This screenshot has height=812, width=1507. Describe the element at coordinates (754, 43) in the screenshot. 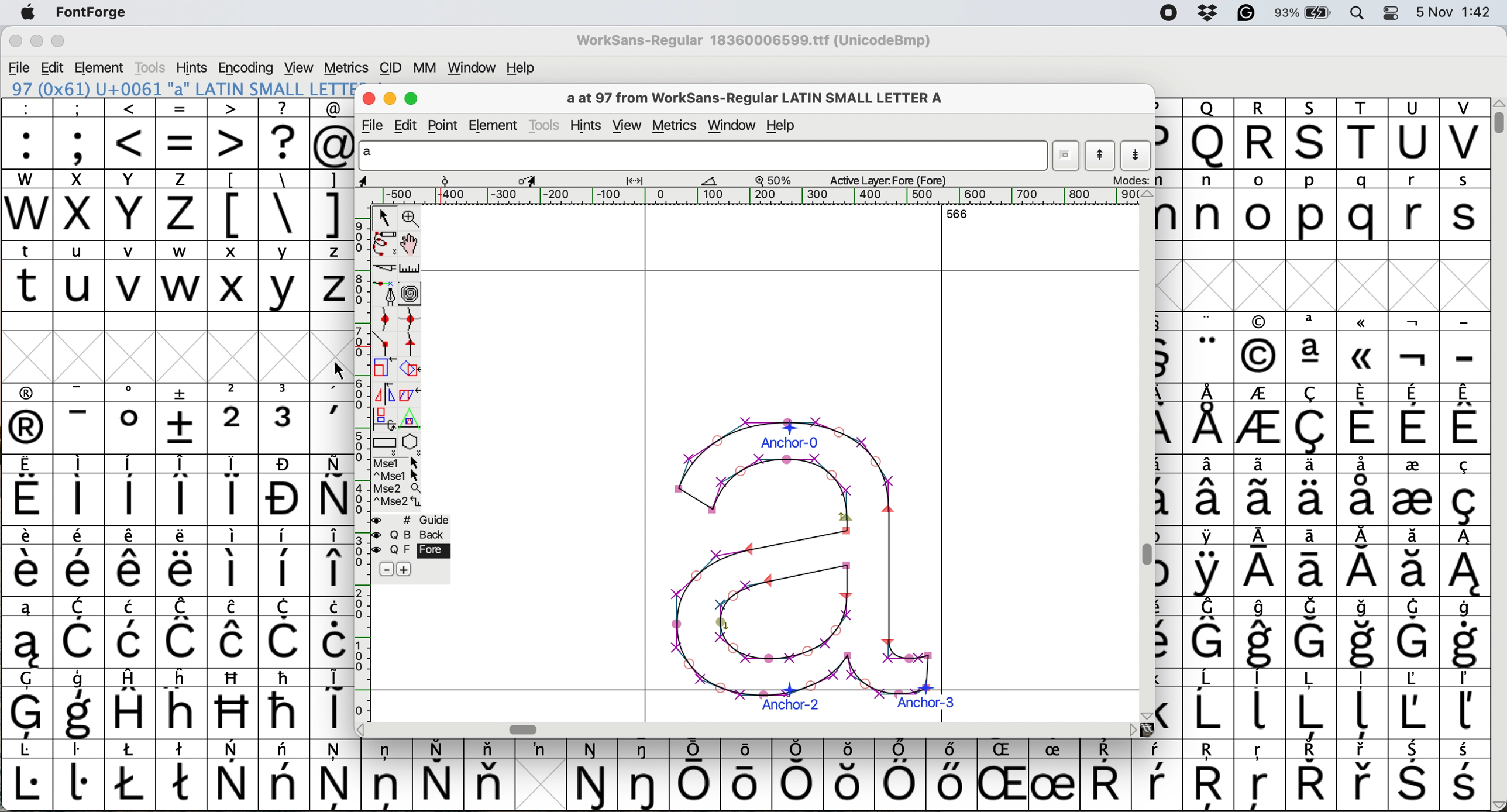

I see `WorkSans-Regular 18360006599.ttf (UnicodeBmp)` at that location.